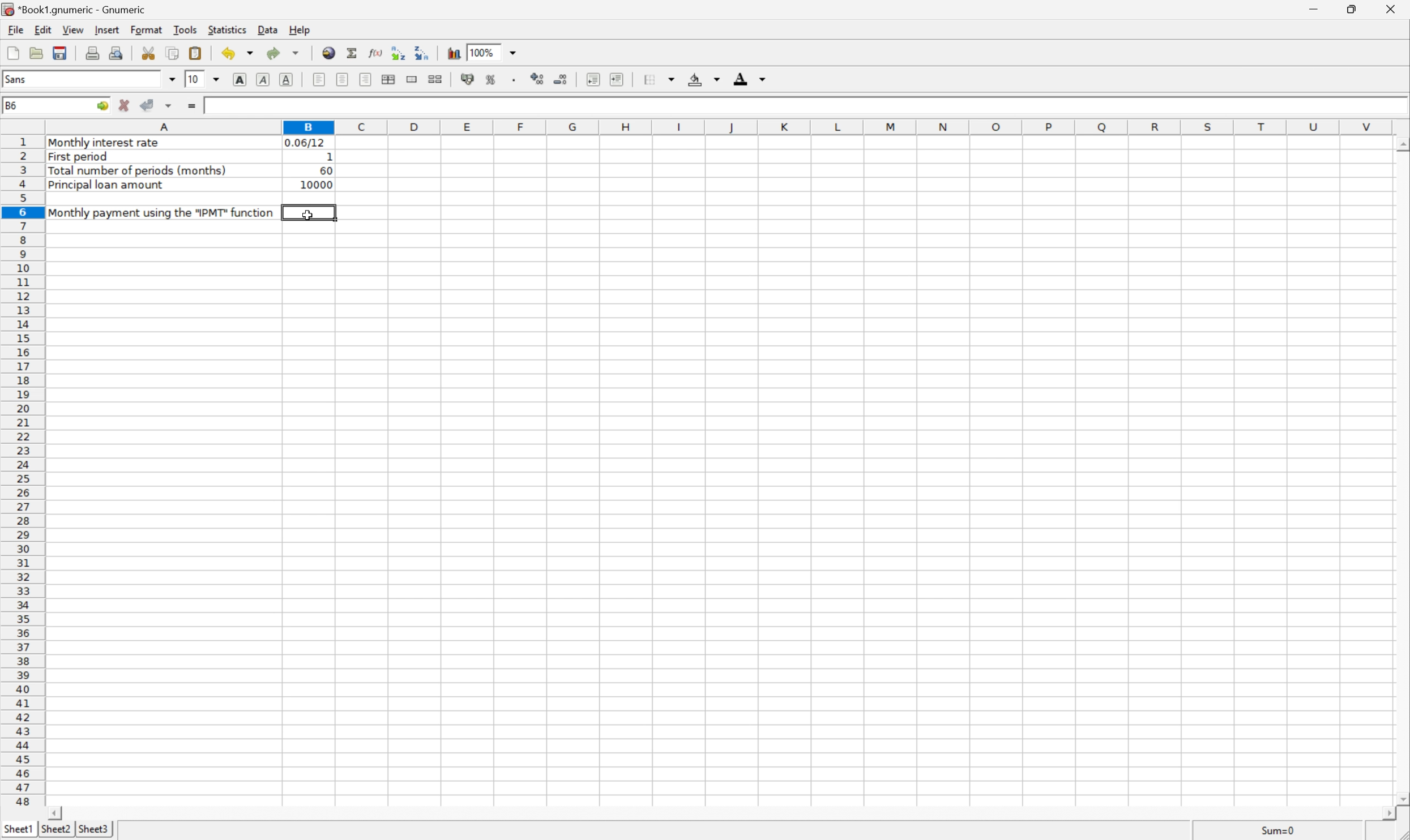 The height and width of the screenshot is (840, 1410). What do you see at coordinates (57, 829) in the screenshot?
I see `Sheet2` at bounding box center [57, 829].